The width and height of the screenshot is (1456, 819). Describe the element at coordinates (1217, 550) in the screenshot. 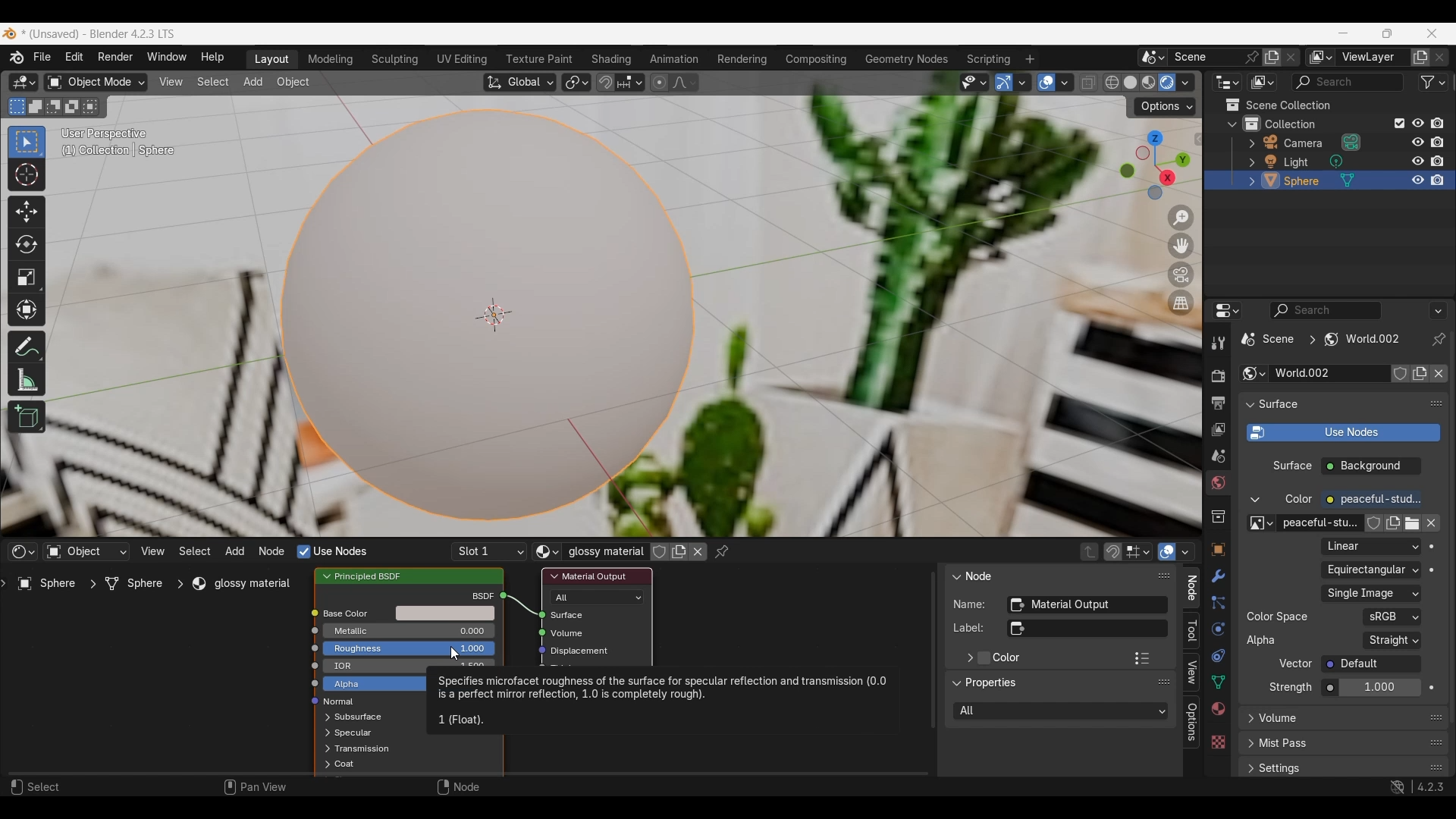

I see `Object properties` at that location.